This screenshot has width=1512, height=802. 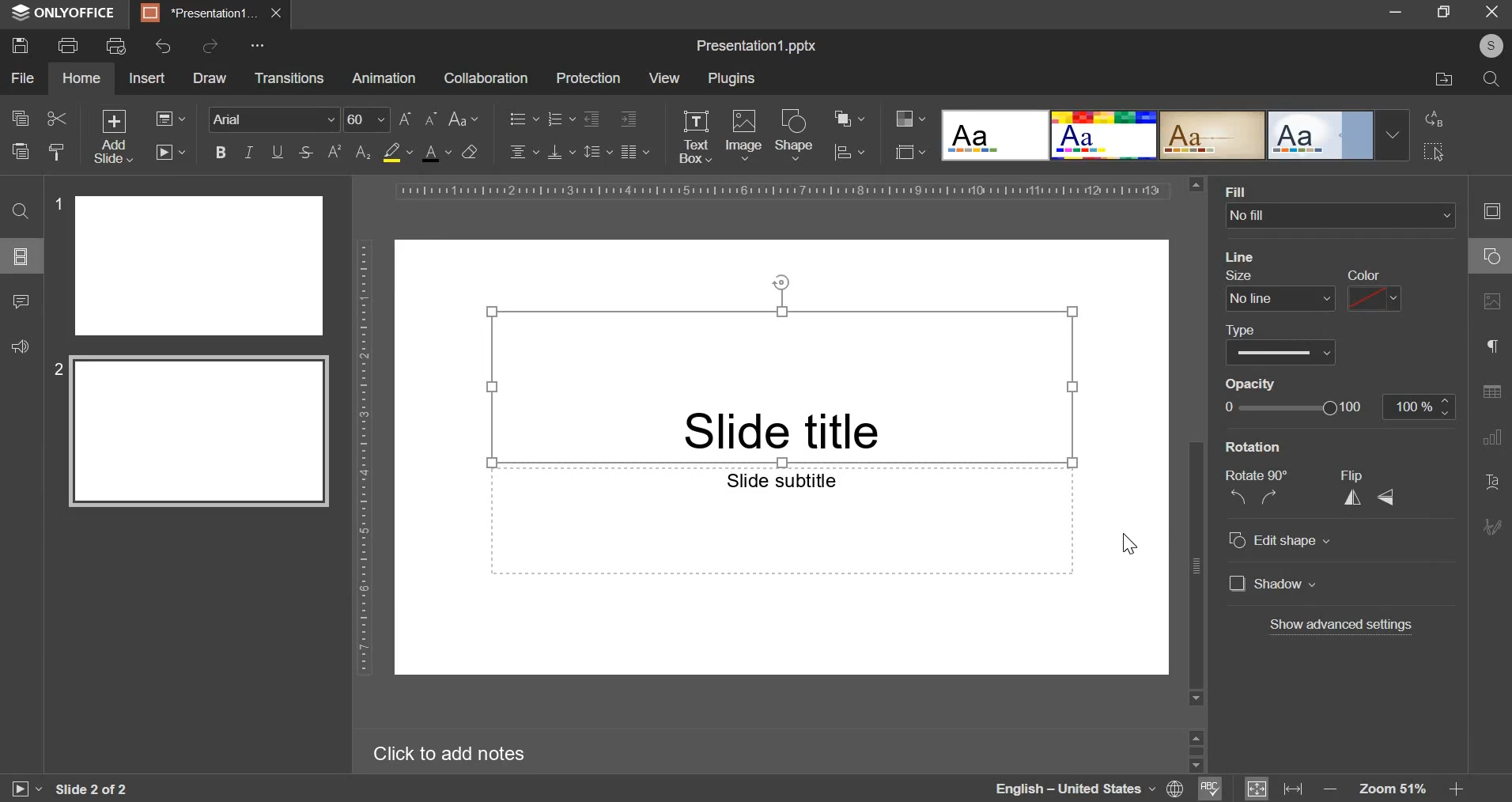 I want to click on font size, so click(x=391, y=119).